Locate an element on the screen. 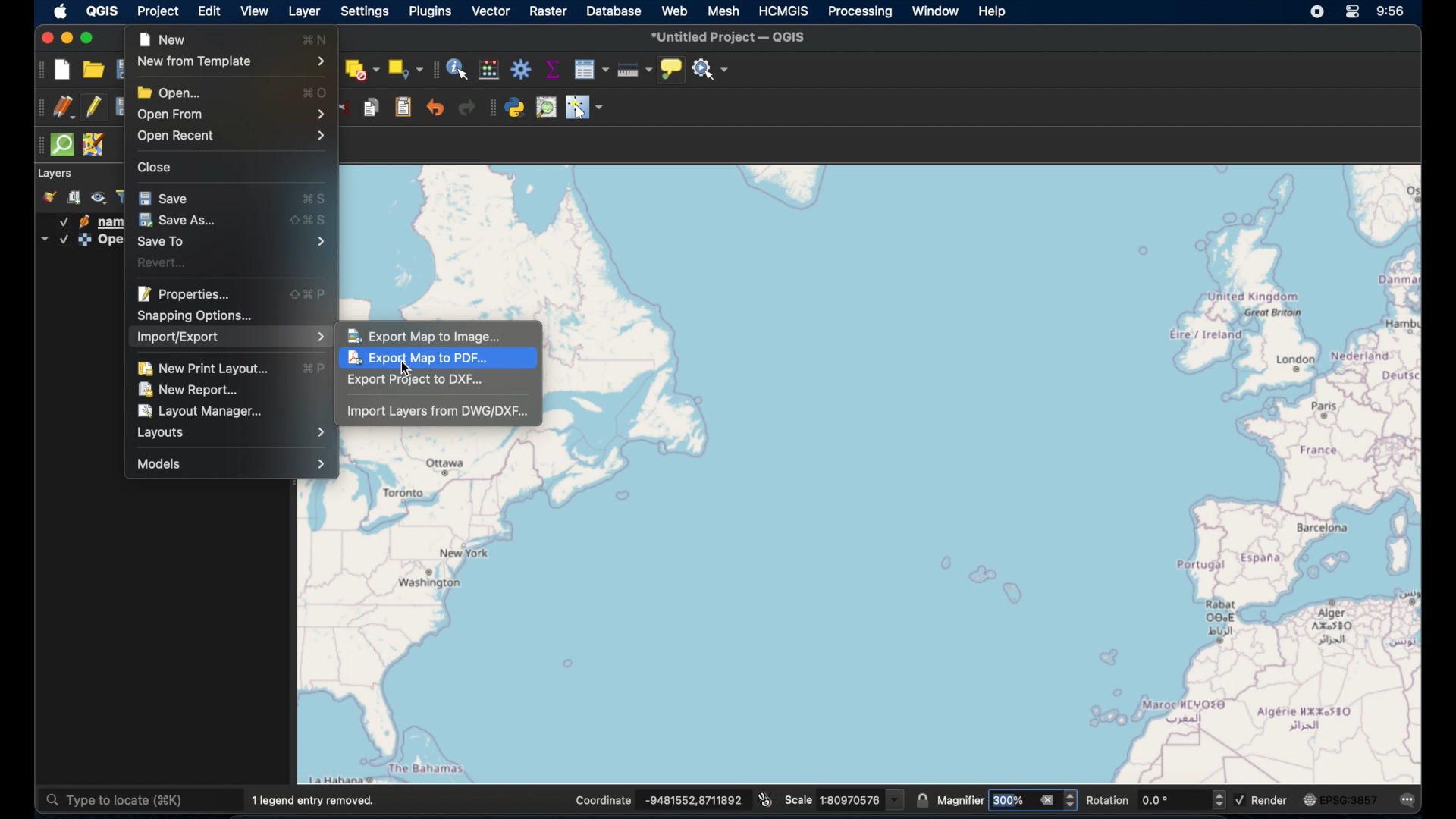  view is located at coordinates (252, 11).